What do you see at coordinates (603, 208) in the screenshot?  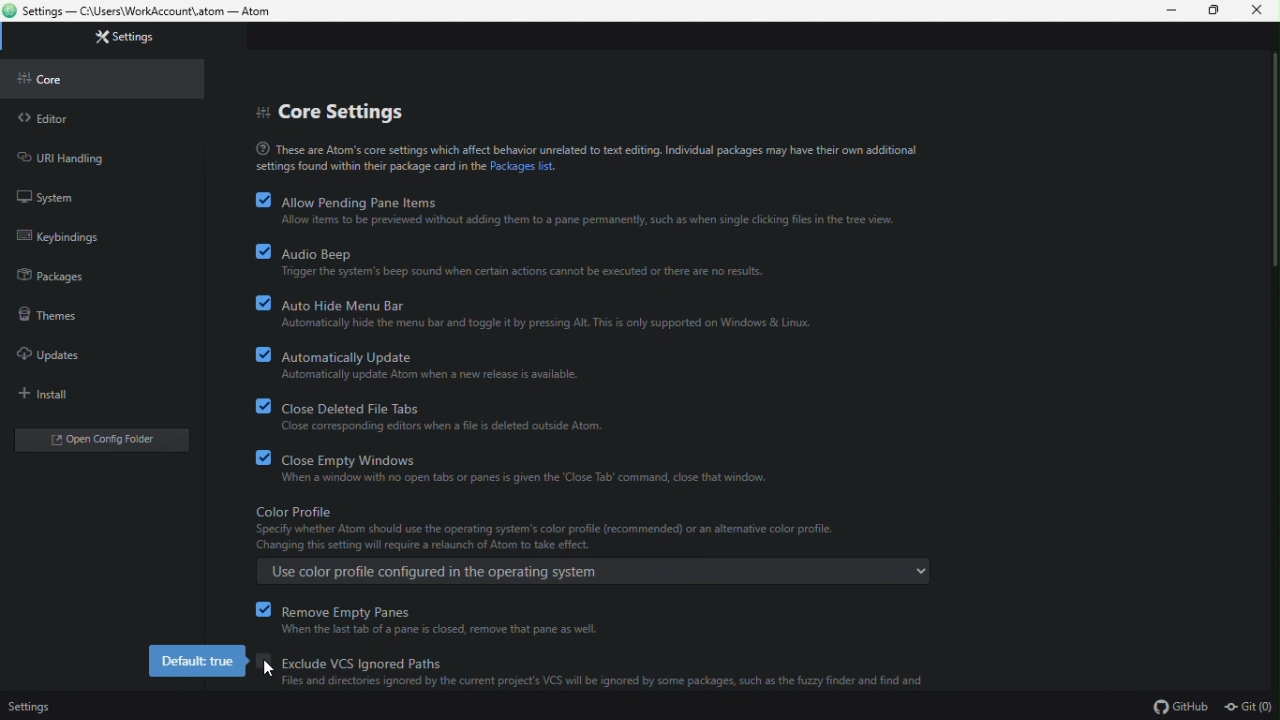 I see `Allow pending pane items` at bounding box center [603, 208].